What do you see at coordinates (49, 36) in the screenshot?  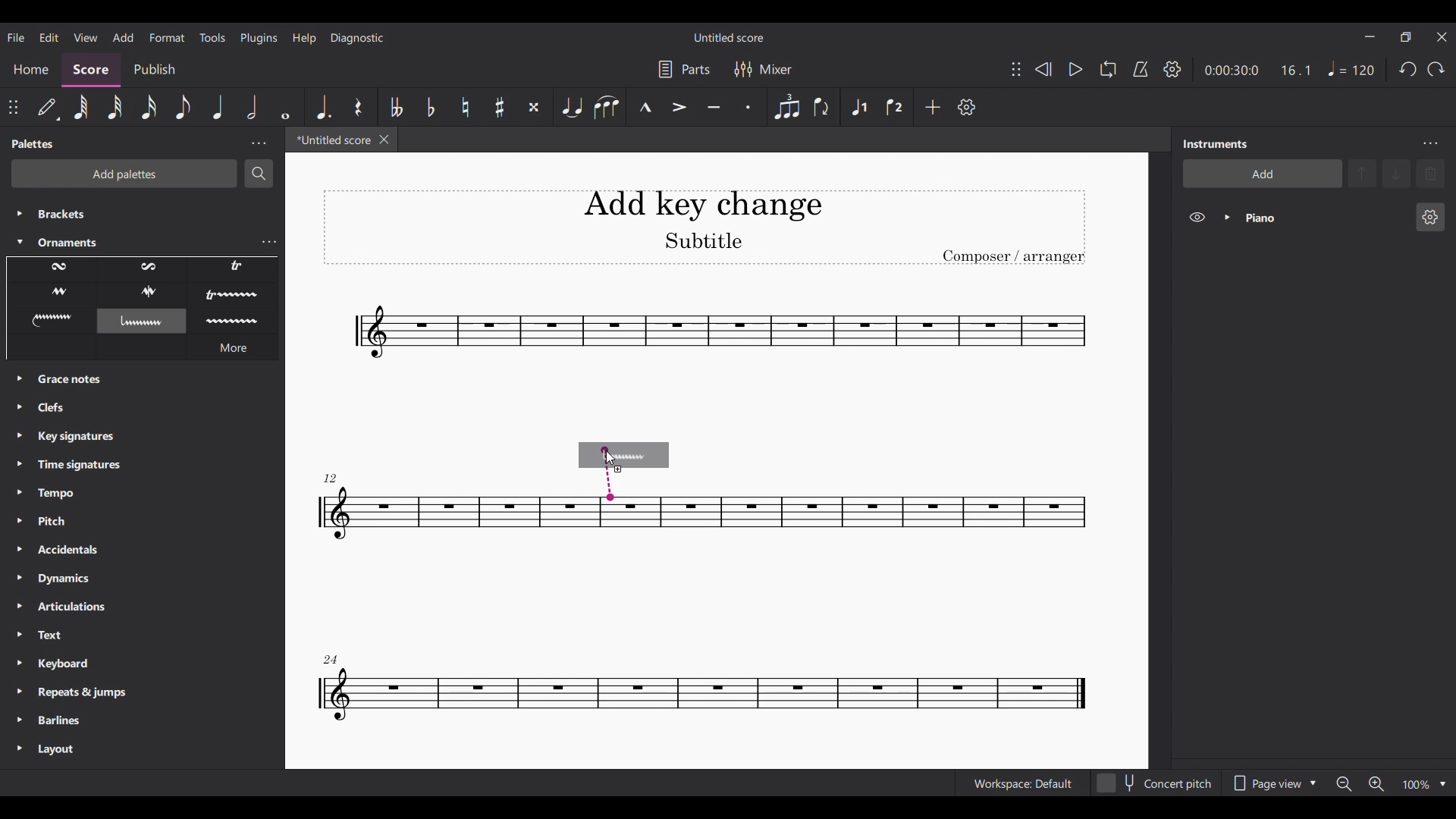 I see `Edit menu` at bounding box center [49, 36].